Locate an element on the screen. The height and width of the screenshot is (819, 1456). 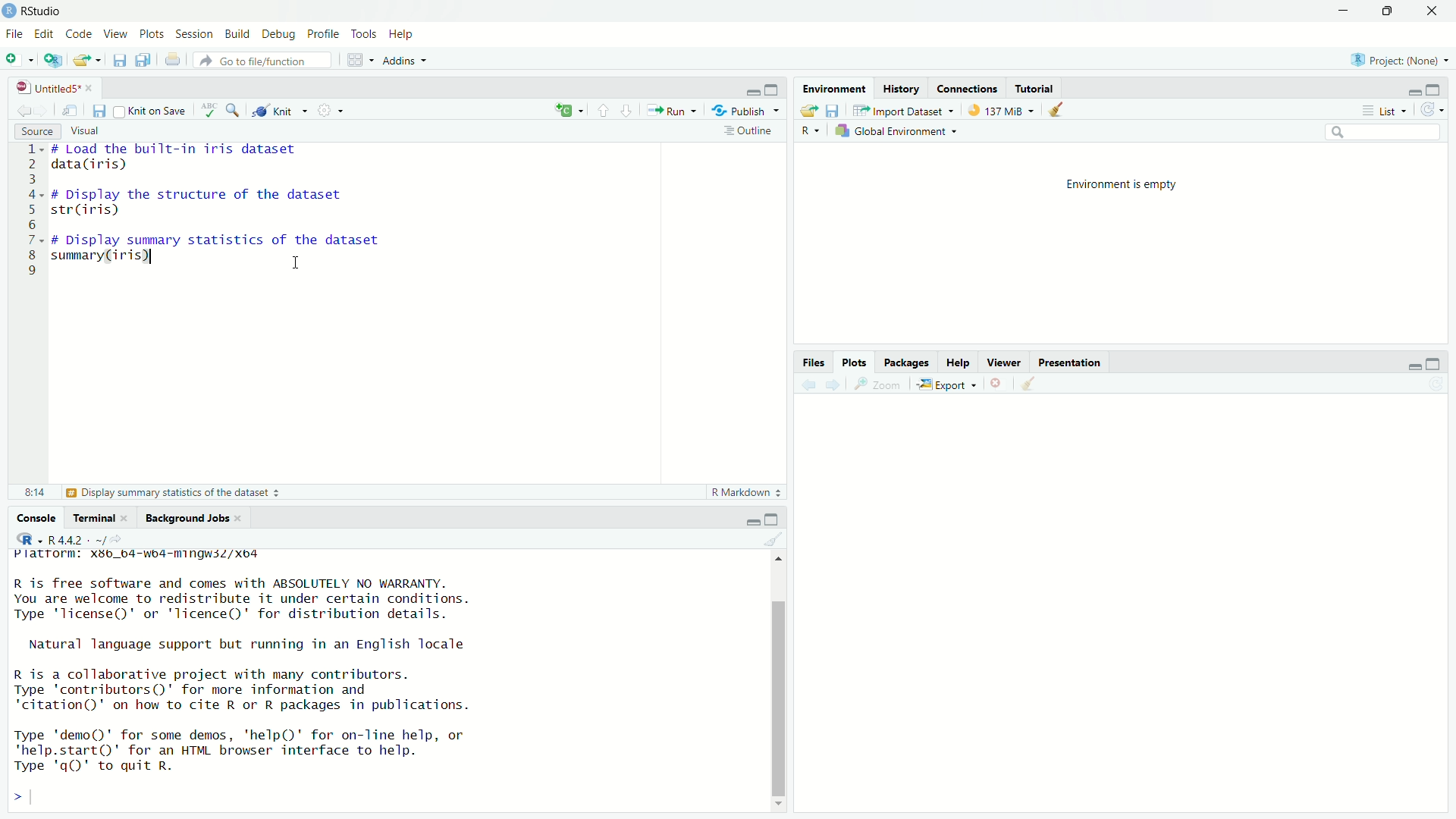
Help is located at coordinates (402, 34).